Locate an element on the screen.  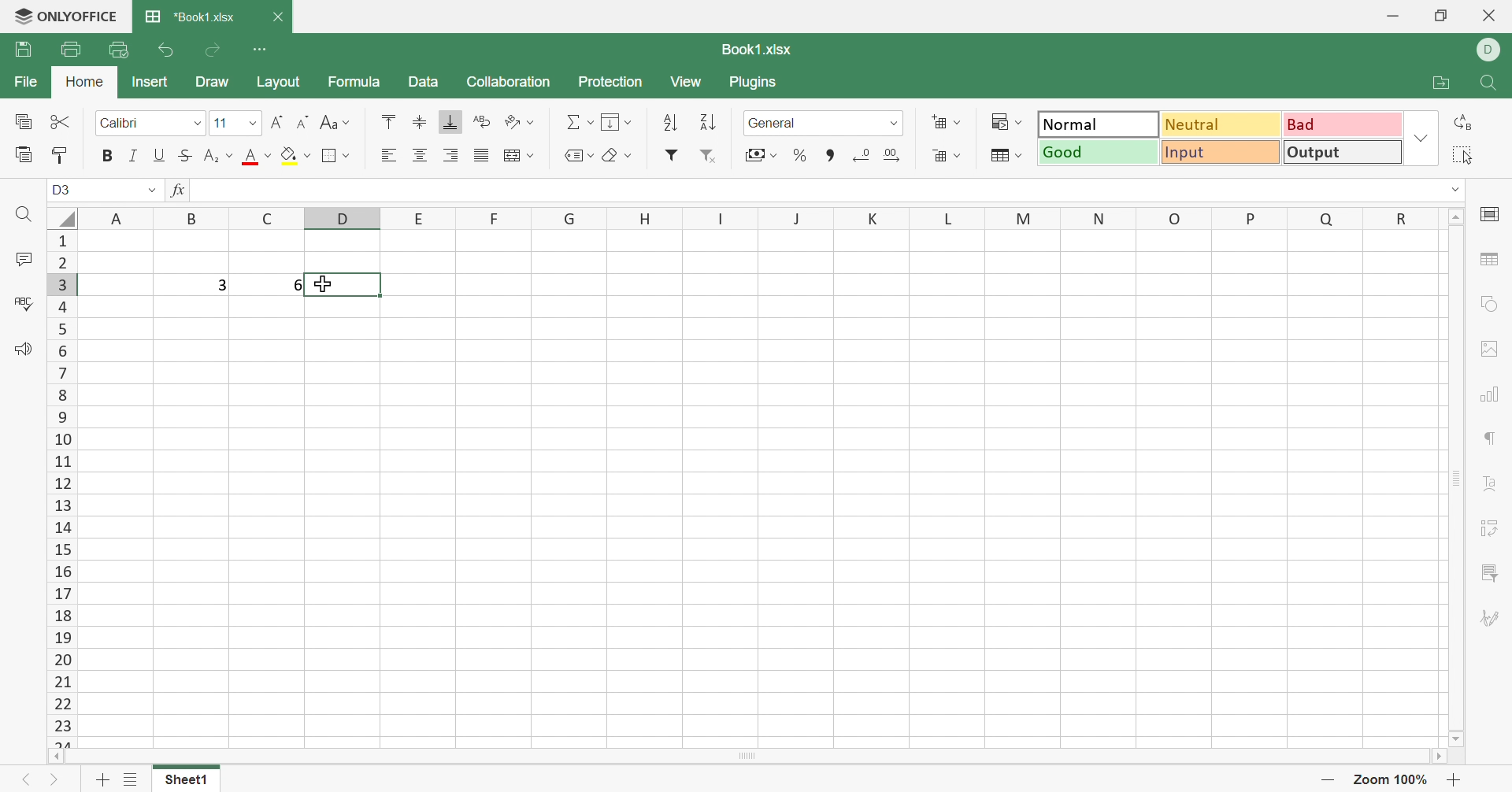
Italic is located at coordinates (135, 157).